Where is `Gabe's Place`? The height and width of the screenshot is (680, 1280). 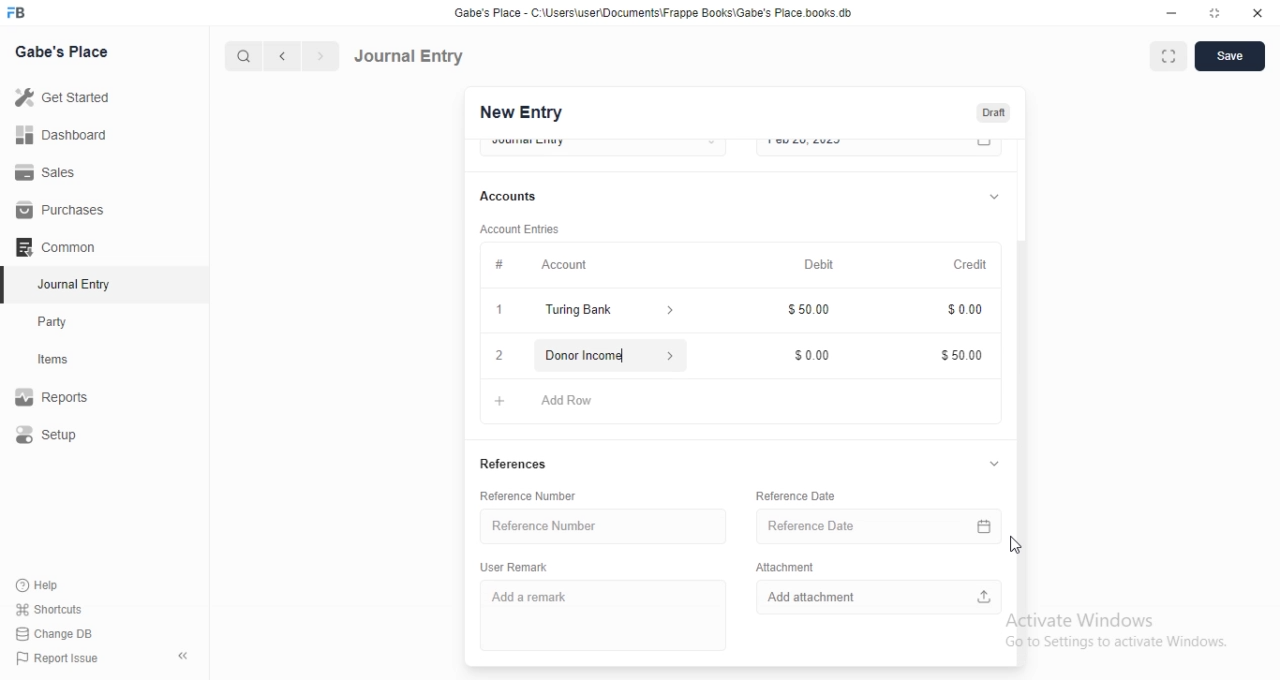 Gabe's Place is located at coordinates (62, 51).